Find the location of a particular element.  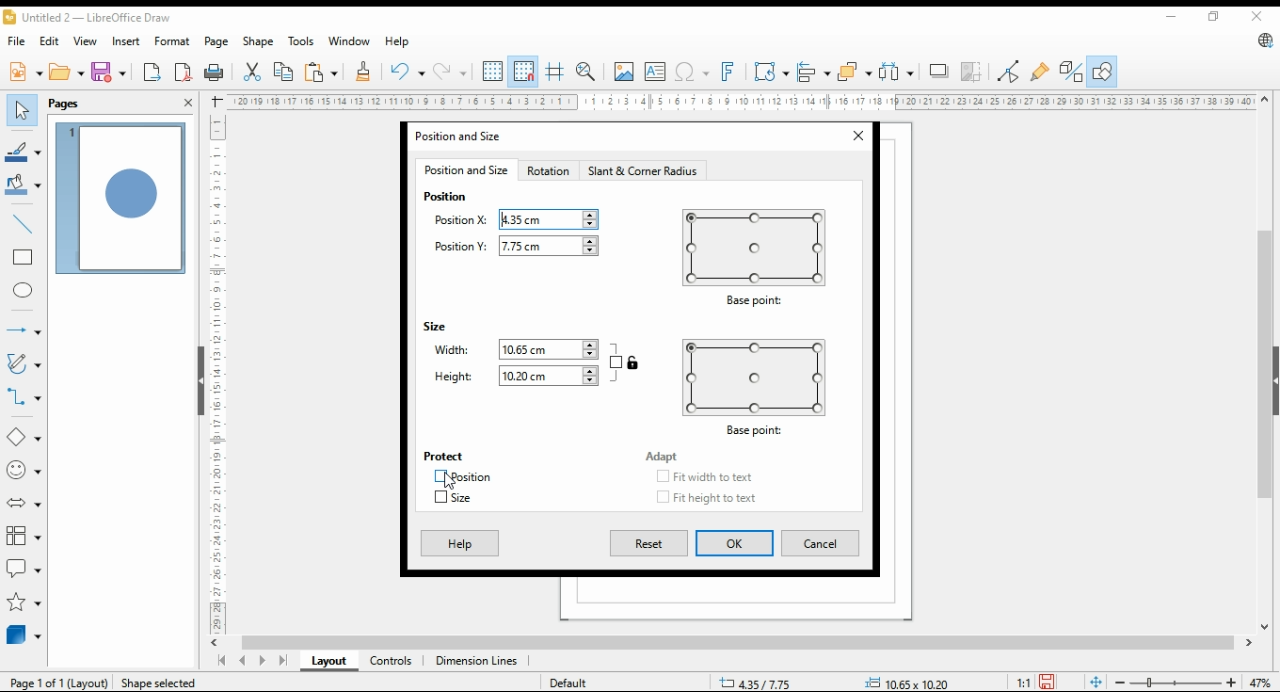

protect is located at coordinates (443, 457).